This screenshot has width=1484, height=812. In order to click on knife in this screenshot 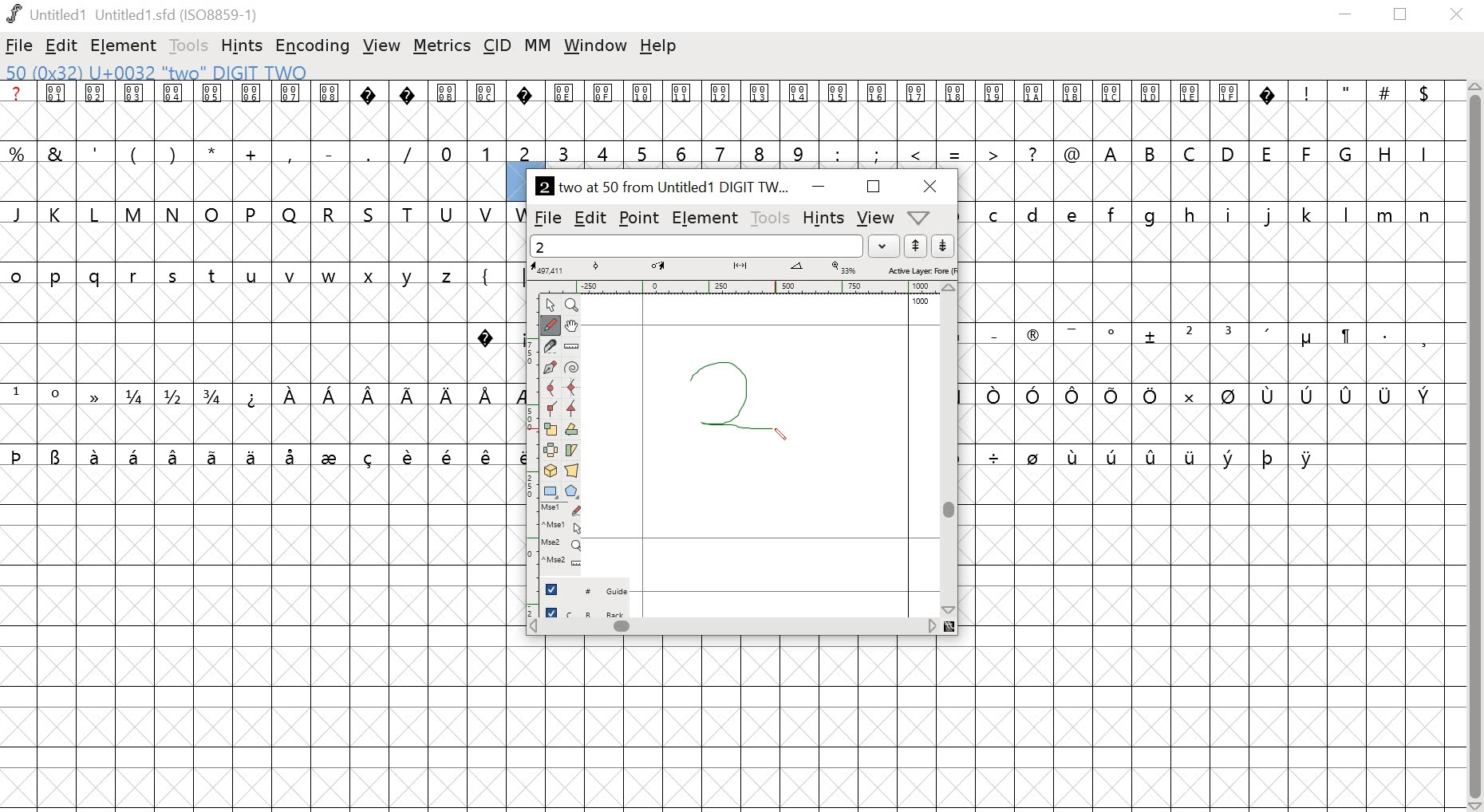, I will do `click(552, 348)`.